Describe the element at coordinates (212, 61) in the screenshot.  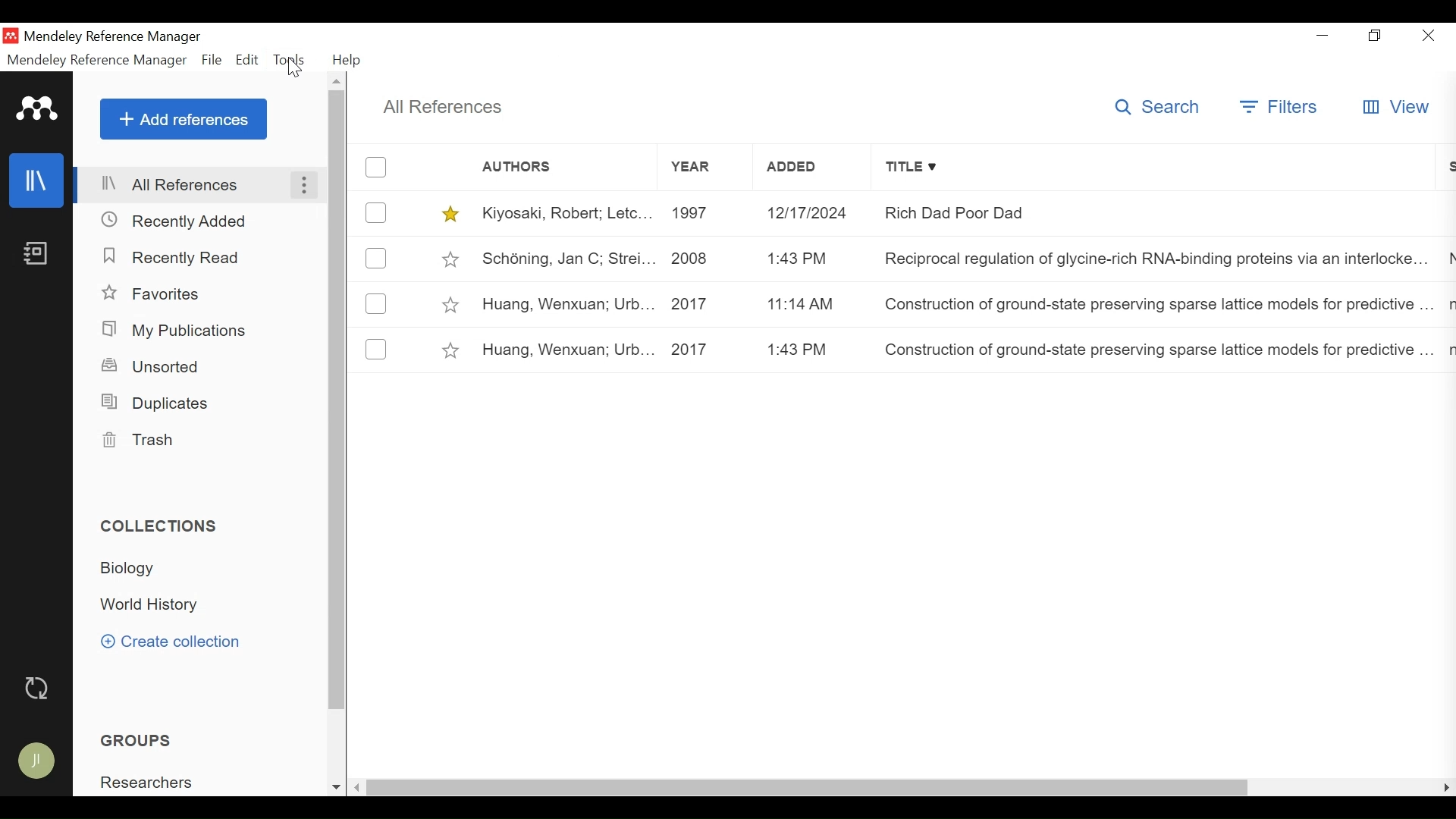
I see `File` at that location.